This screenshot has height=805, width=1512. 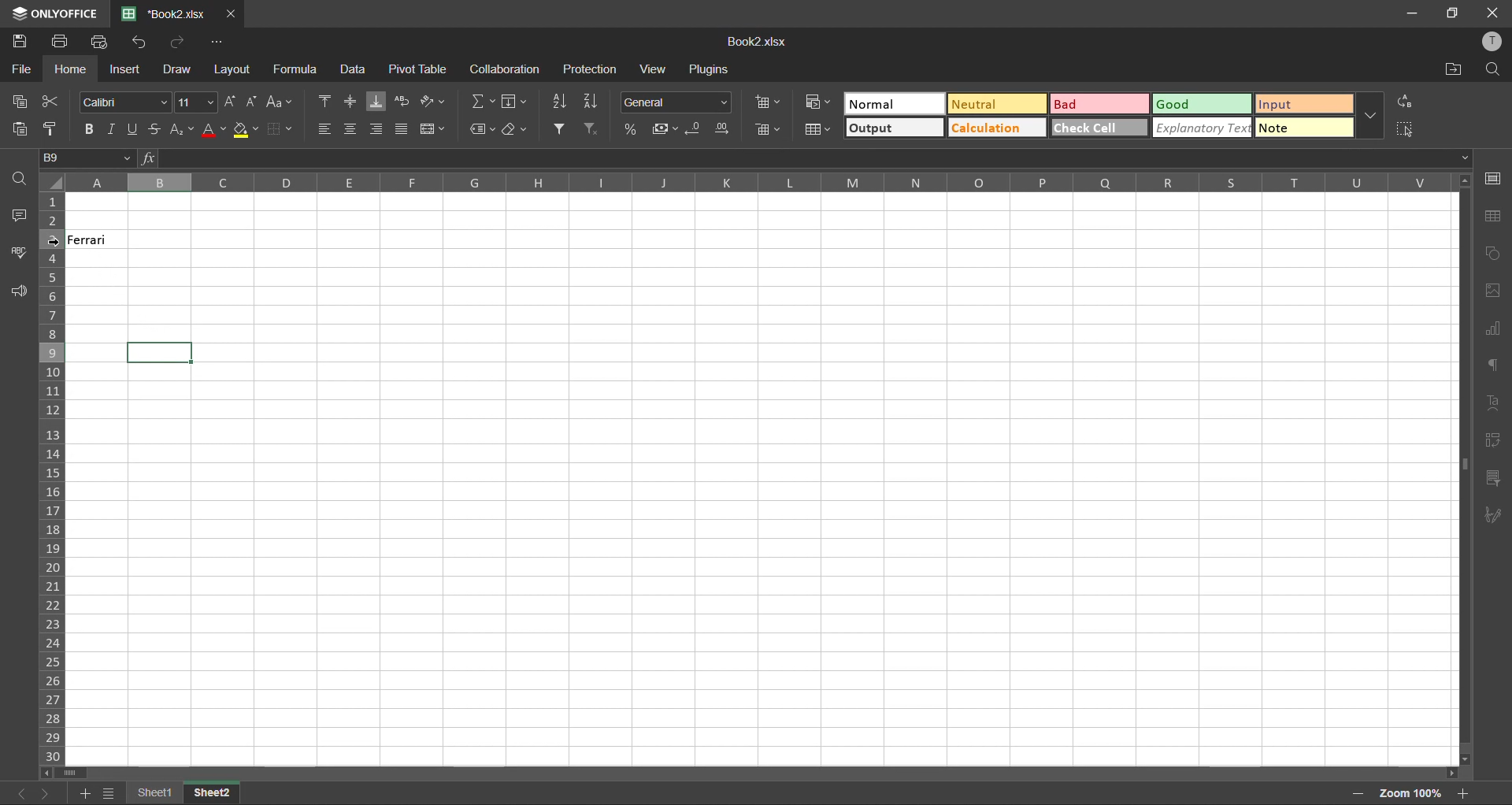 I want to click on images, so click(x=1496, y=291).